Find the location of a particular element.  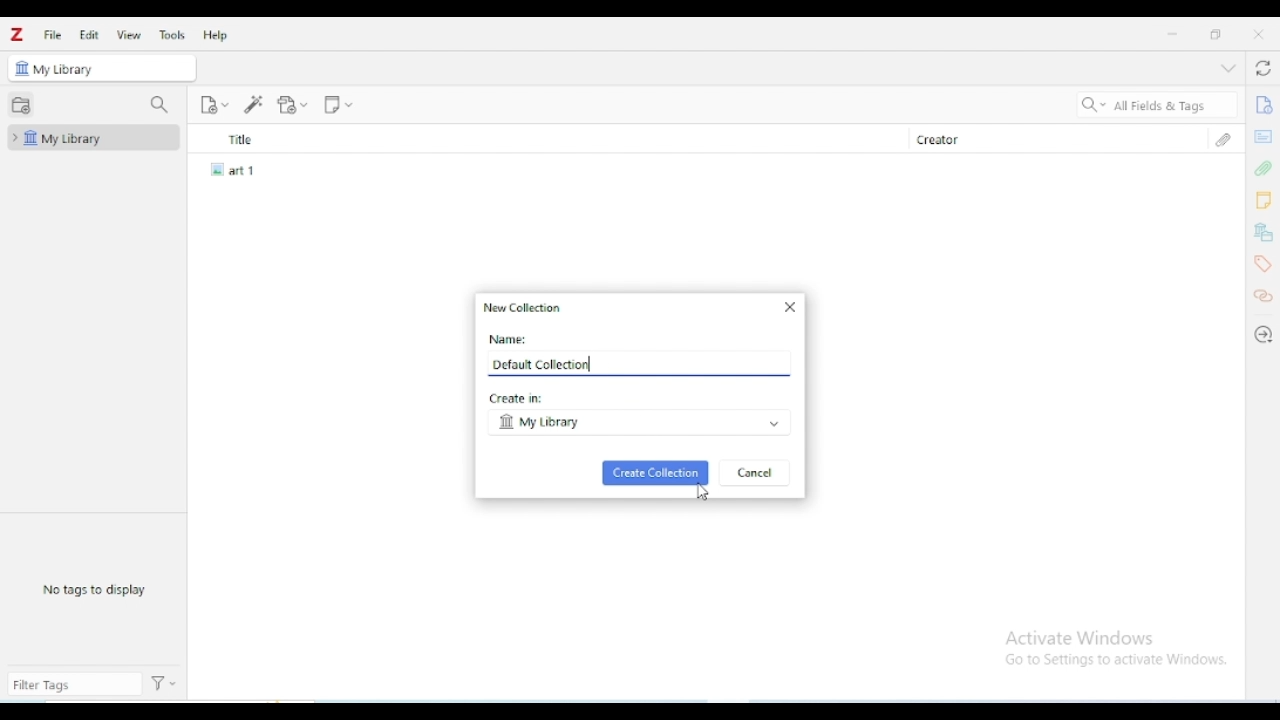

filter collections is located at coordinates (160, 104).